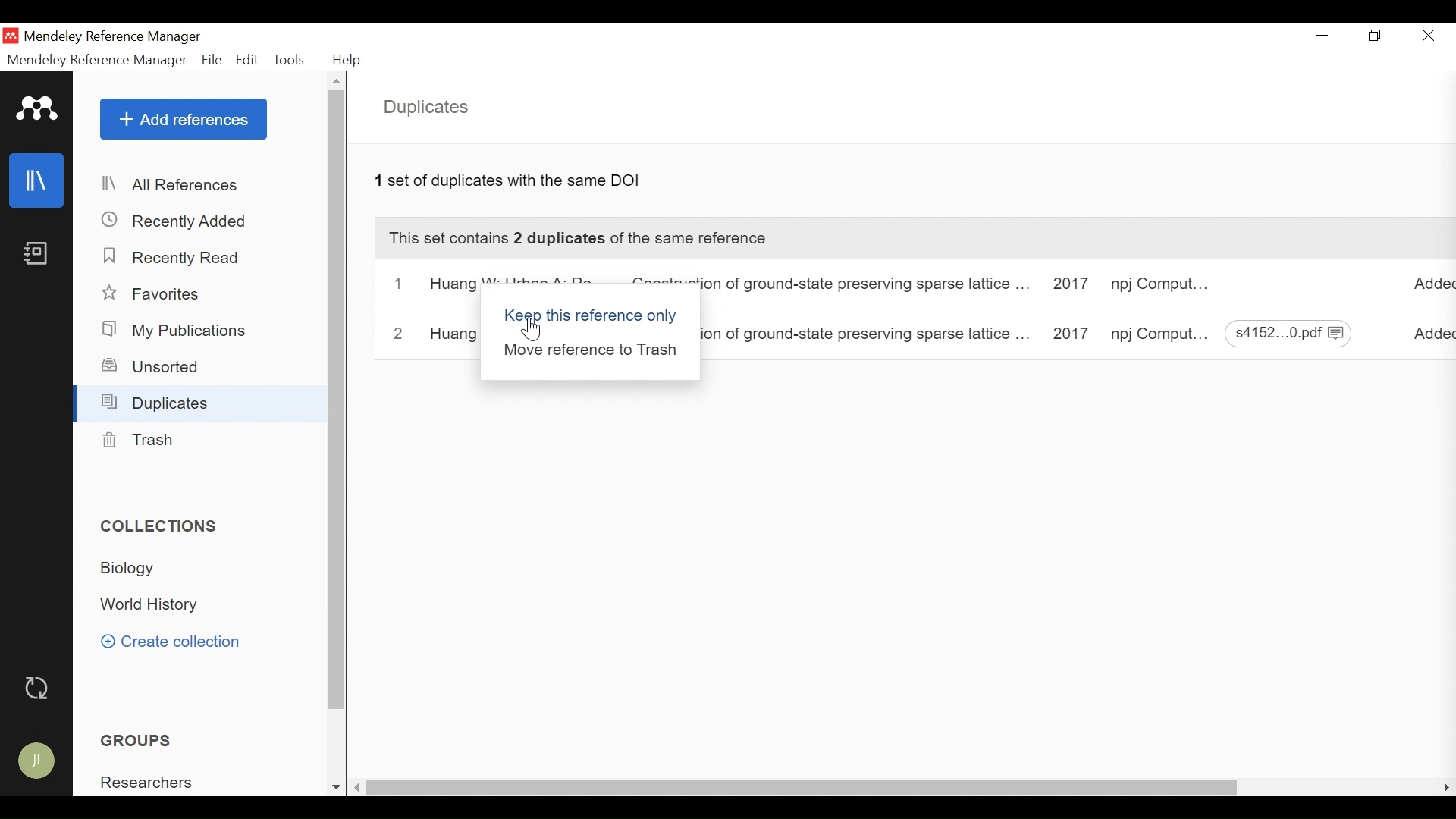  Describe the element at coordinates (199, 186) in the screenshot. I see `All References` at that location.